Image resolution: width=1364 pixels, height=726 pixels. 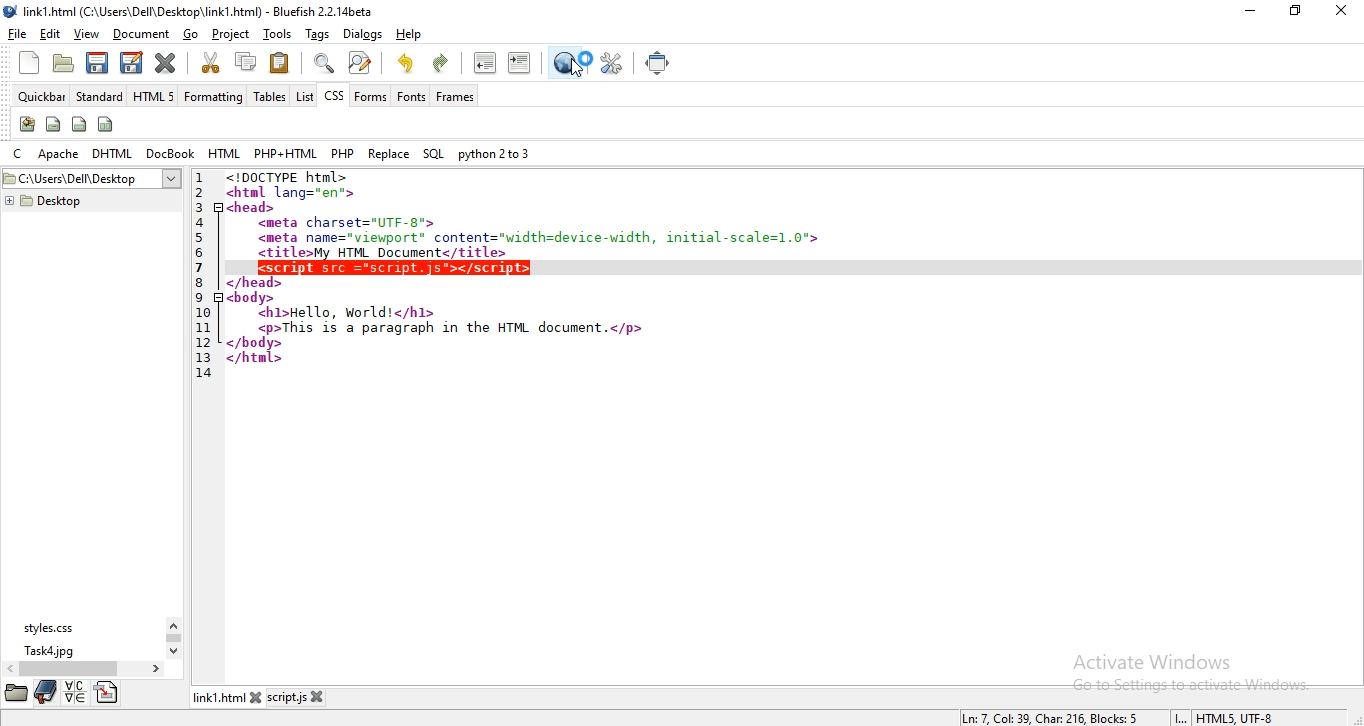 What do you see at coordinates (279, 35) in the screenshot?
I see `tools` at bounding box center [279, 35].